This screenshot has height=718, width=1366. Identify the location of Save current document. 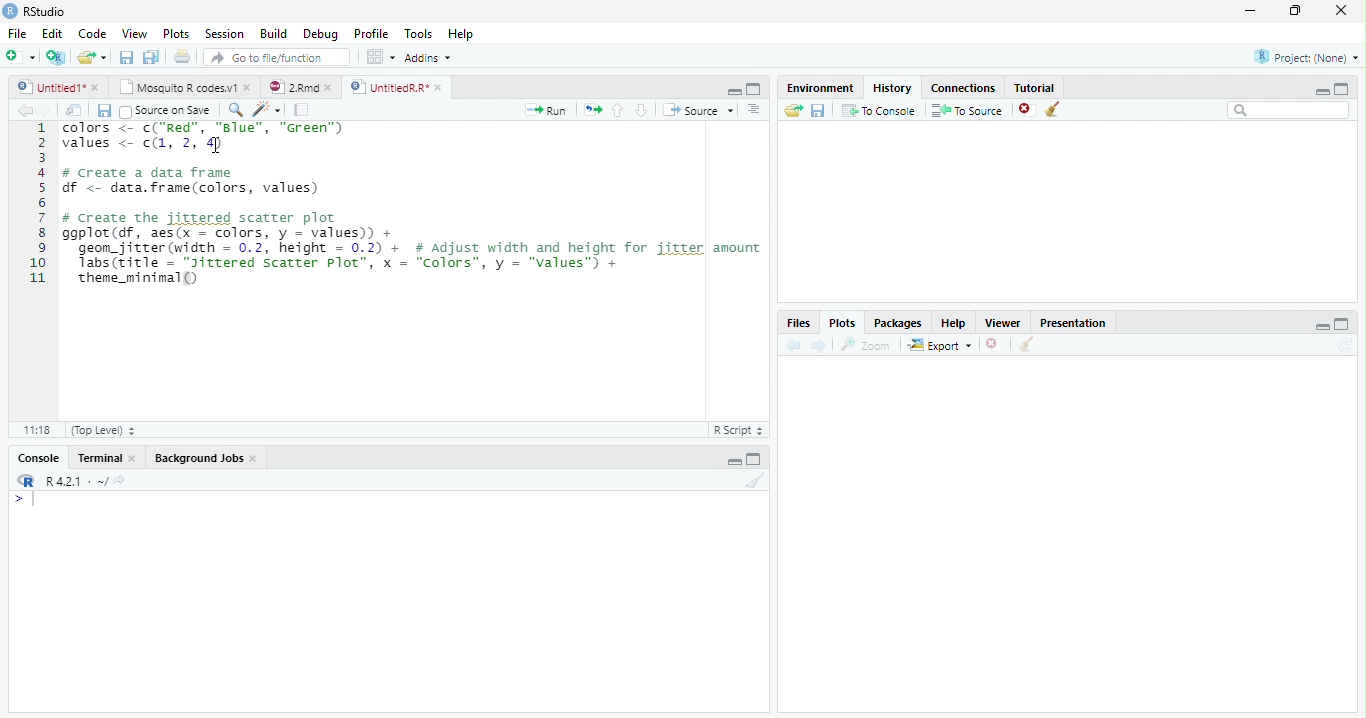
(127, 57).